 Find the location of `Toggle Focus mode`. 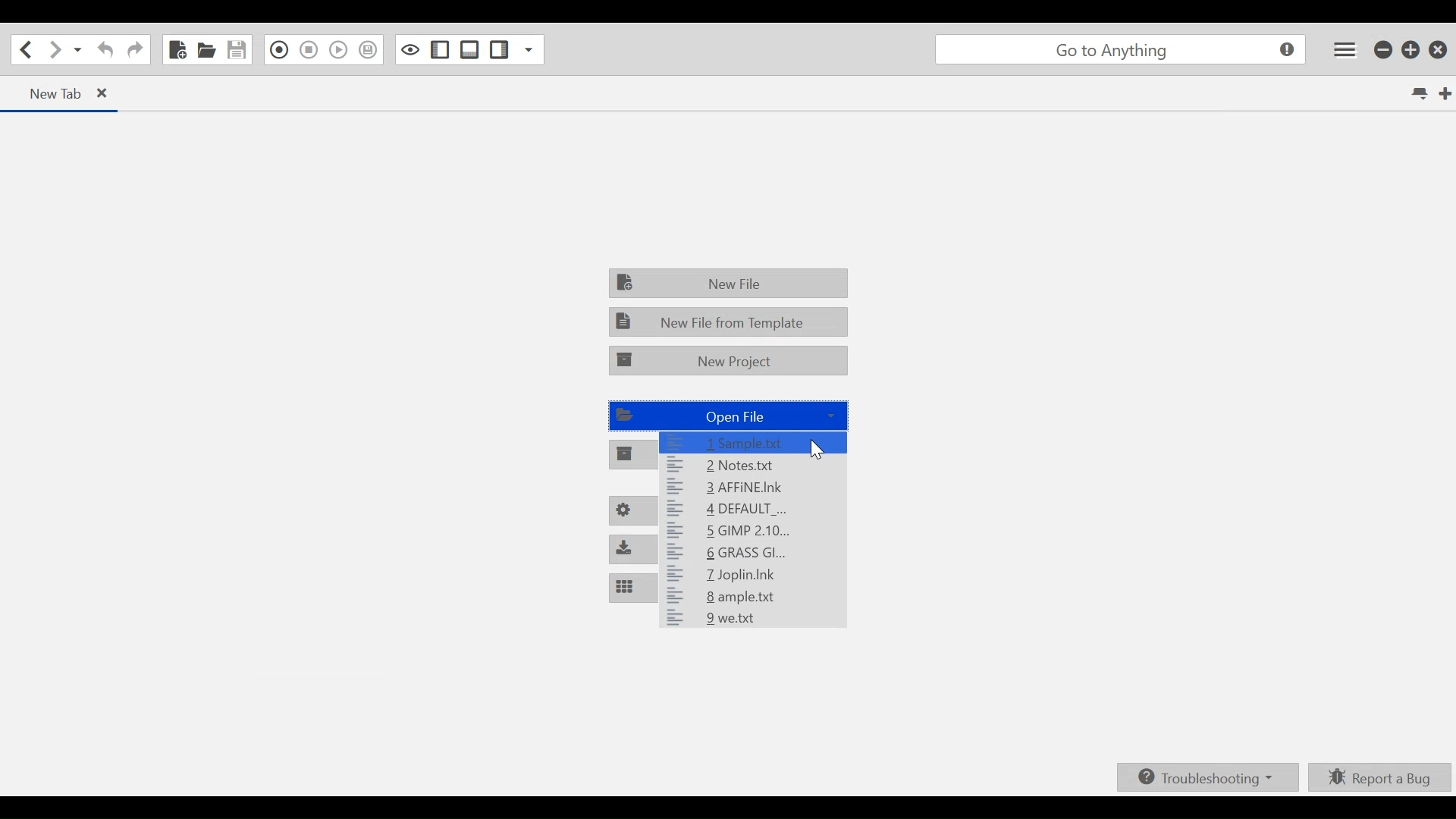

Toggle Focus mode is located at coordinates (409, 49).